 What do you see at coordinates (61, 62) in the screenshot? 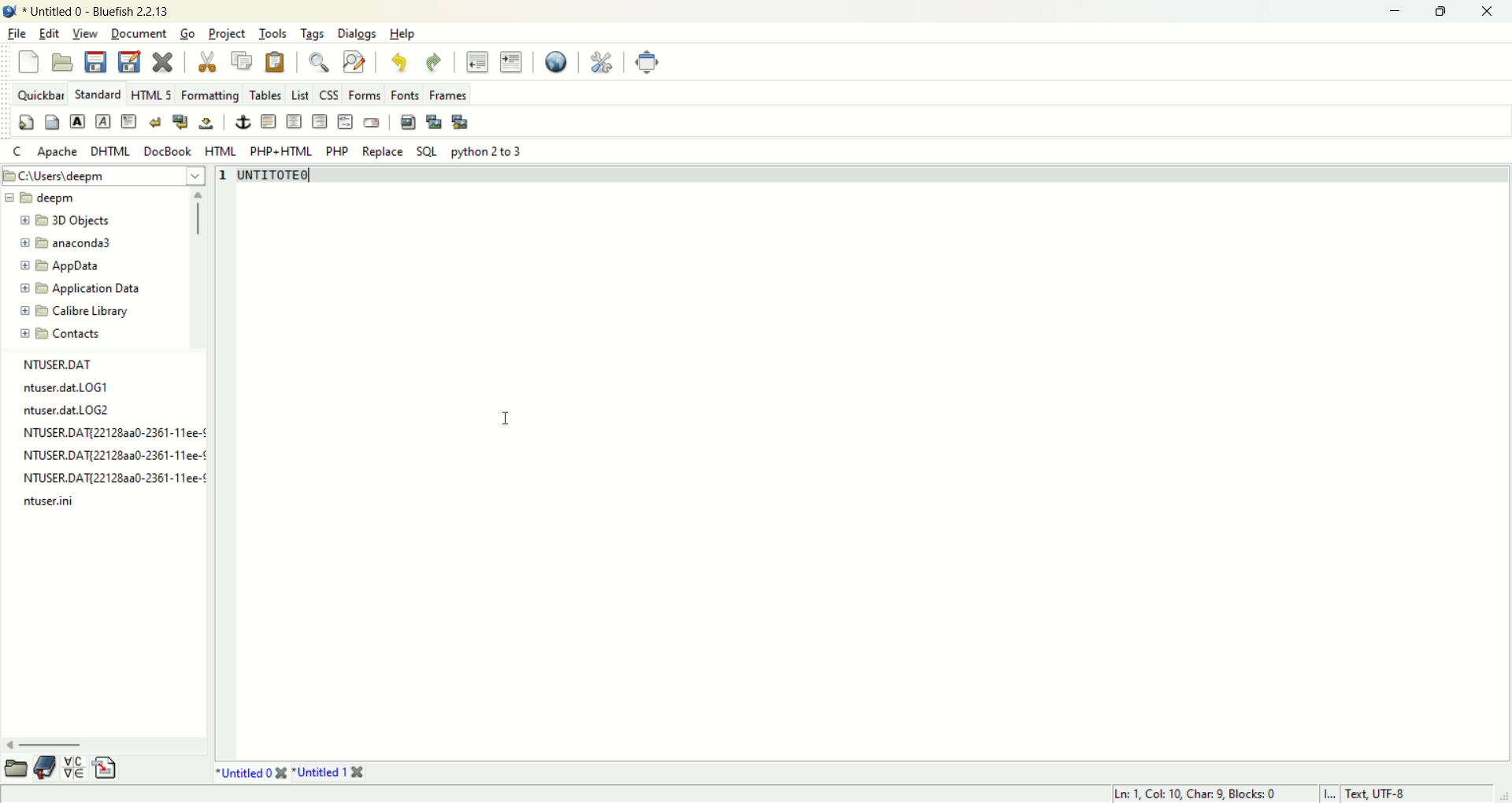
I see `open` at bounding box center [61, 62].